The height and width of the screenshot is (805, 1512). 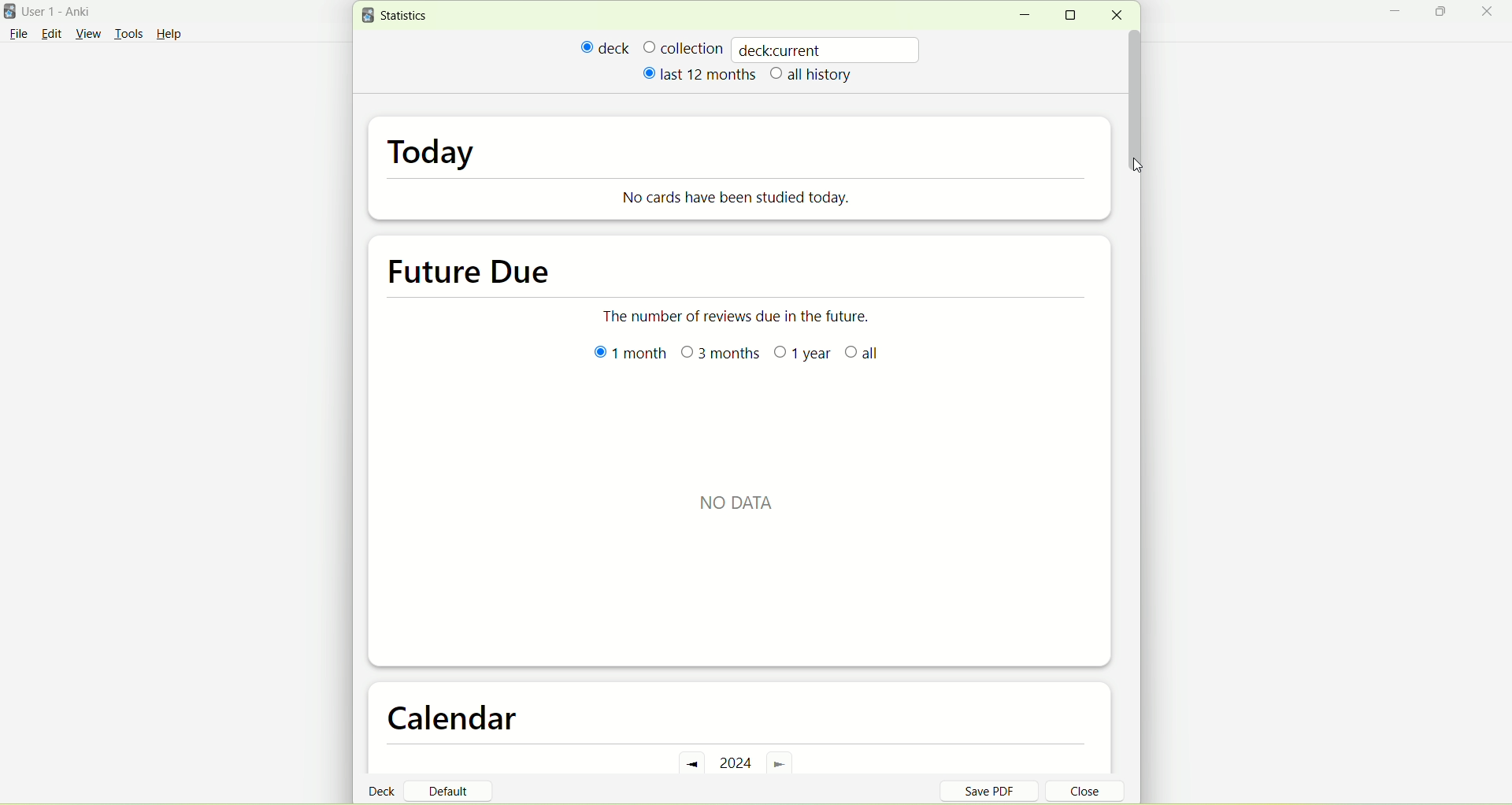 I want to click on today, so click(x=435, y=155).